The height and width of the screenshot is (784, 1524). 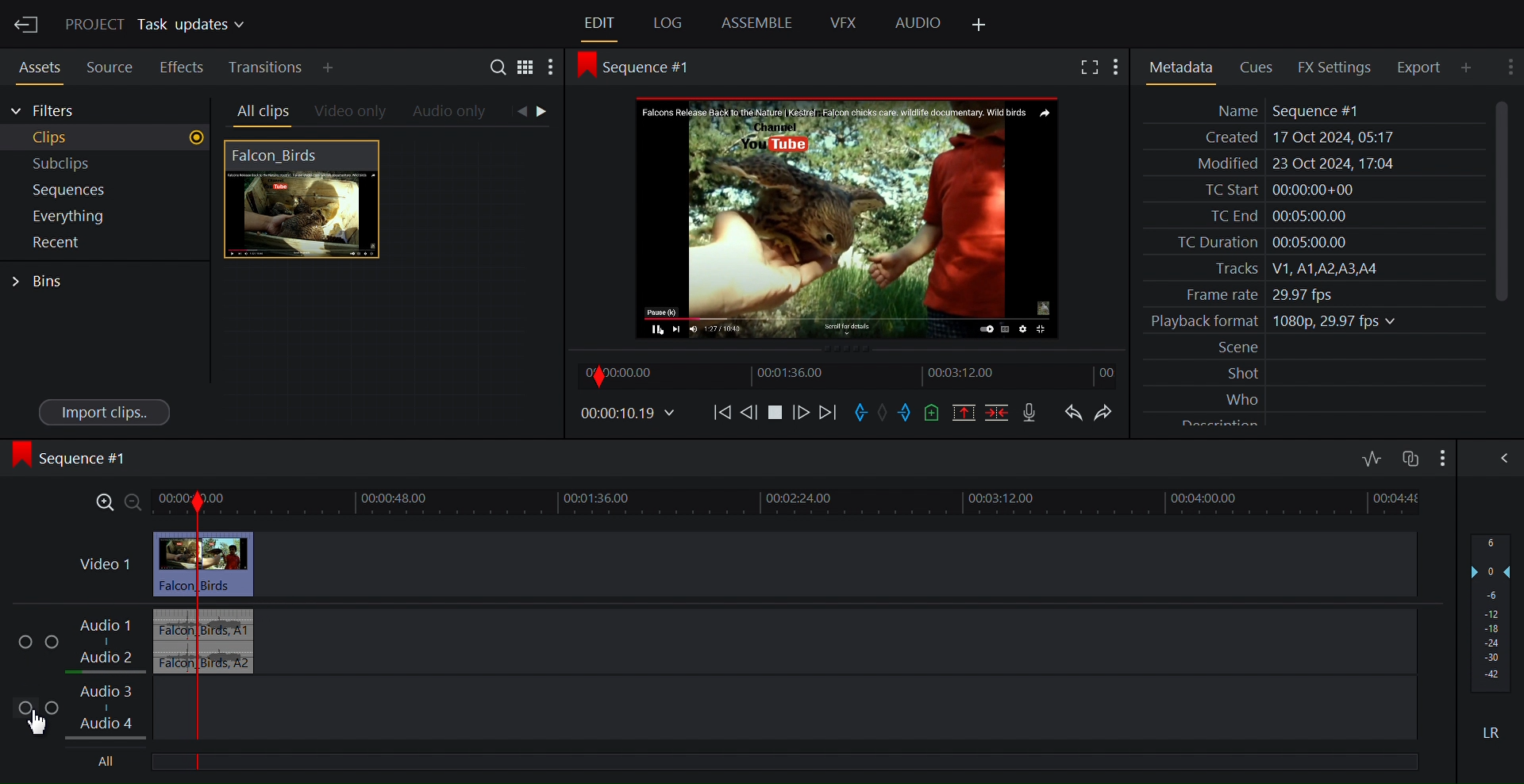 I want to click on Log, so click(x=668, y=24).